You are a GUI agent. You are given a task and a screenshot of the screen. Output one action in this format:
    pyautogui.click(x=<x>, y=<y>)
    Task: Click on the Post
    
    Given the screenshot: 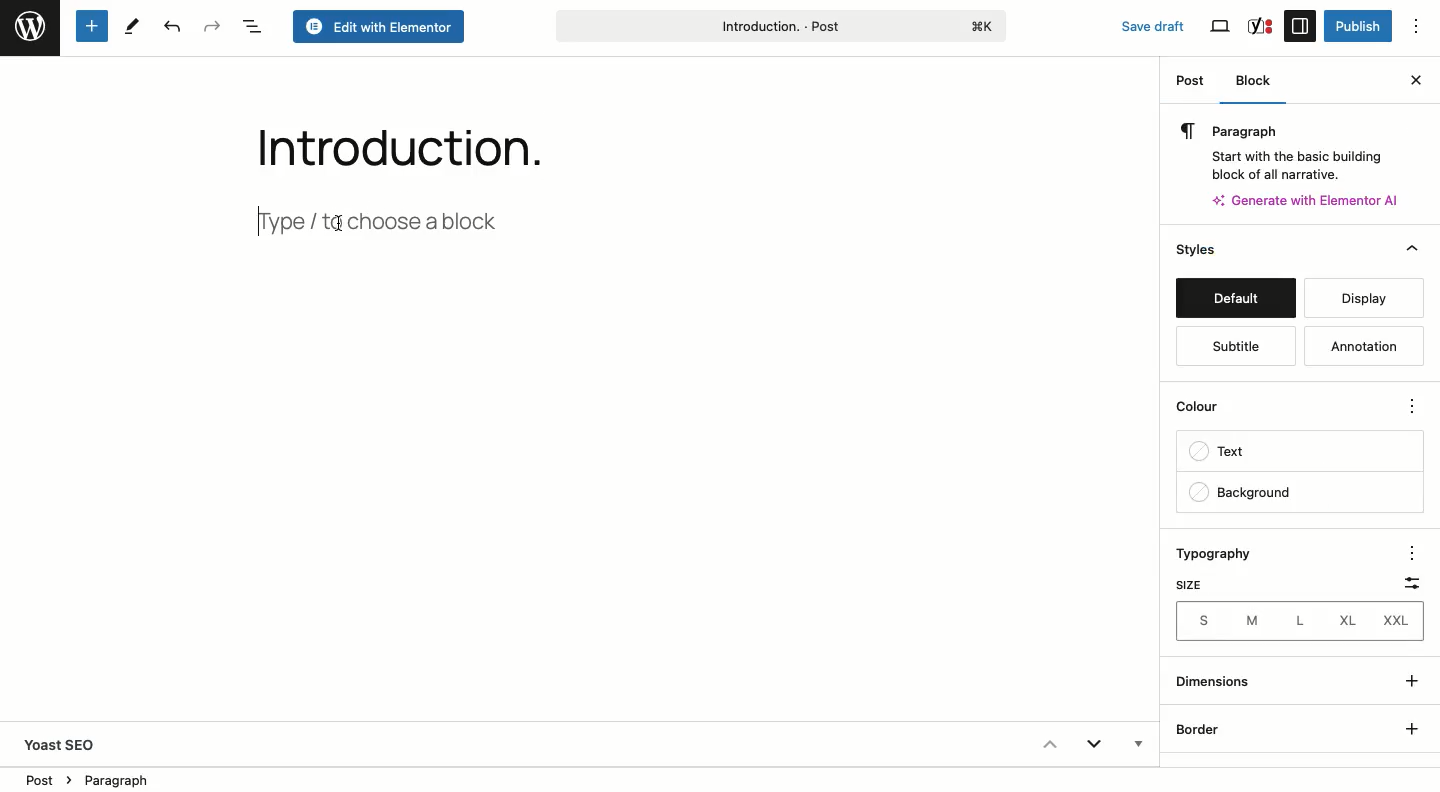 What is the action you would take?
    pyautogui.click(x=1192, y=84)
    